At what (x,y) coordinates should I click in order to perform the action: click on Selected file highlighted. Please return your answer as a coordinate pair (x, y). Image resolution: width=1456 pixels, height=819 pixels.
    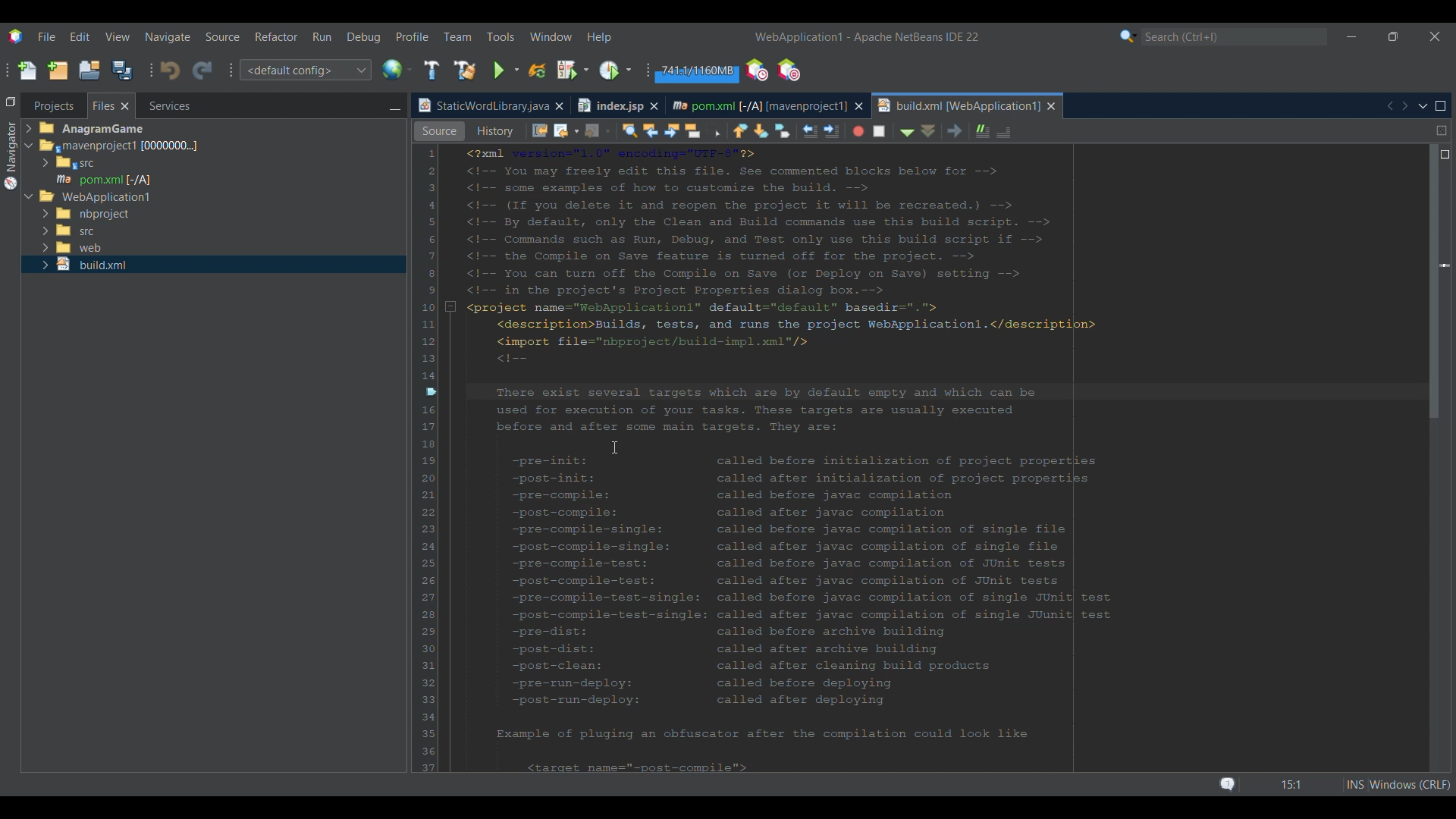
    Looking at the image, I should click on (214, 179).